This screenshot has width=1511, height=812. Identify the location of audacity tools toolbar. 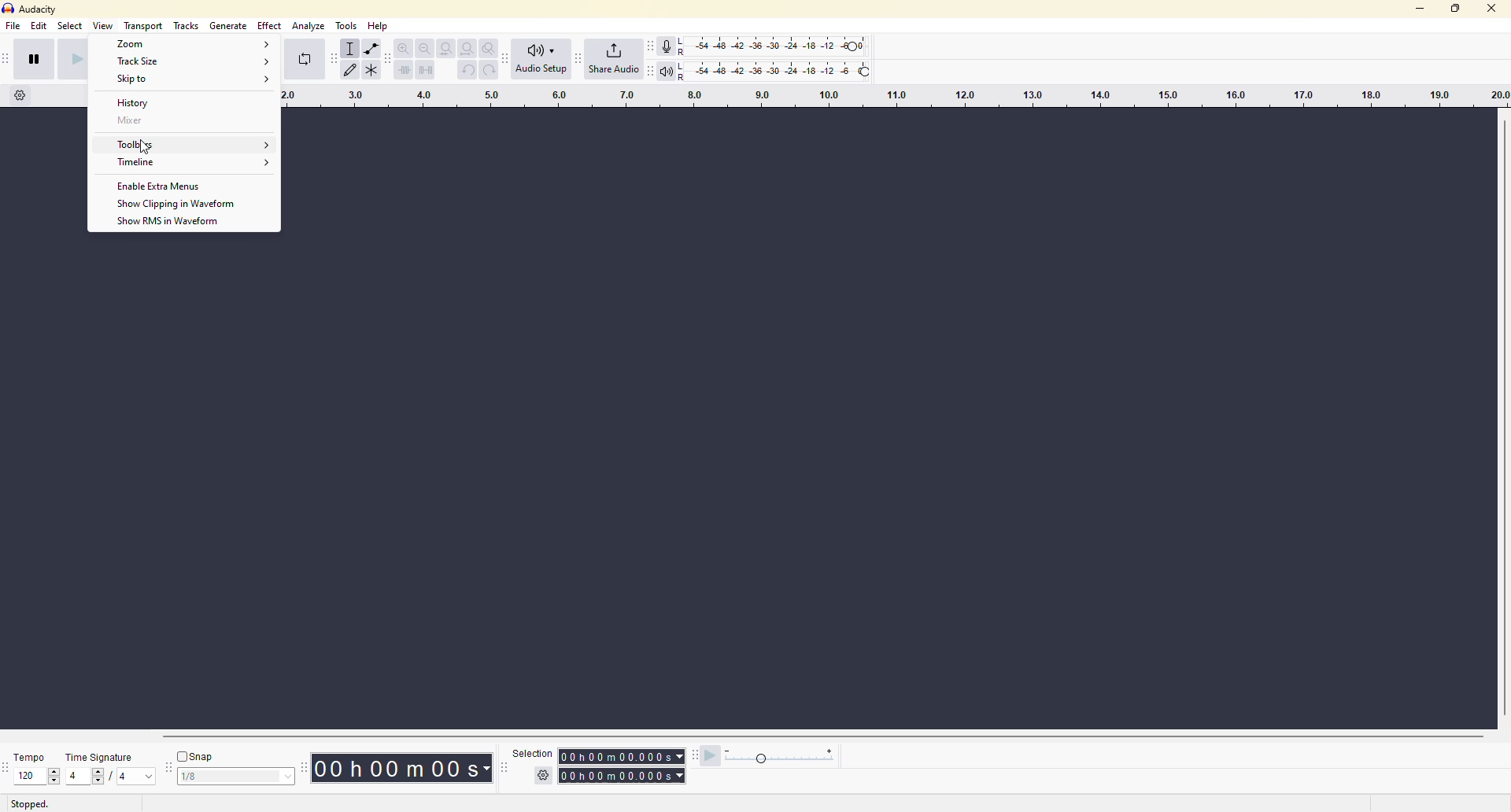
(333, 58).